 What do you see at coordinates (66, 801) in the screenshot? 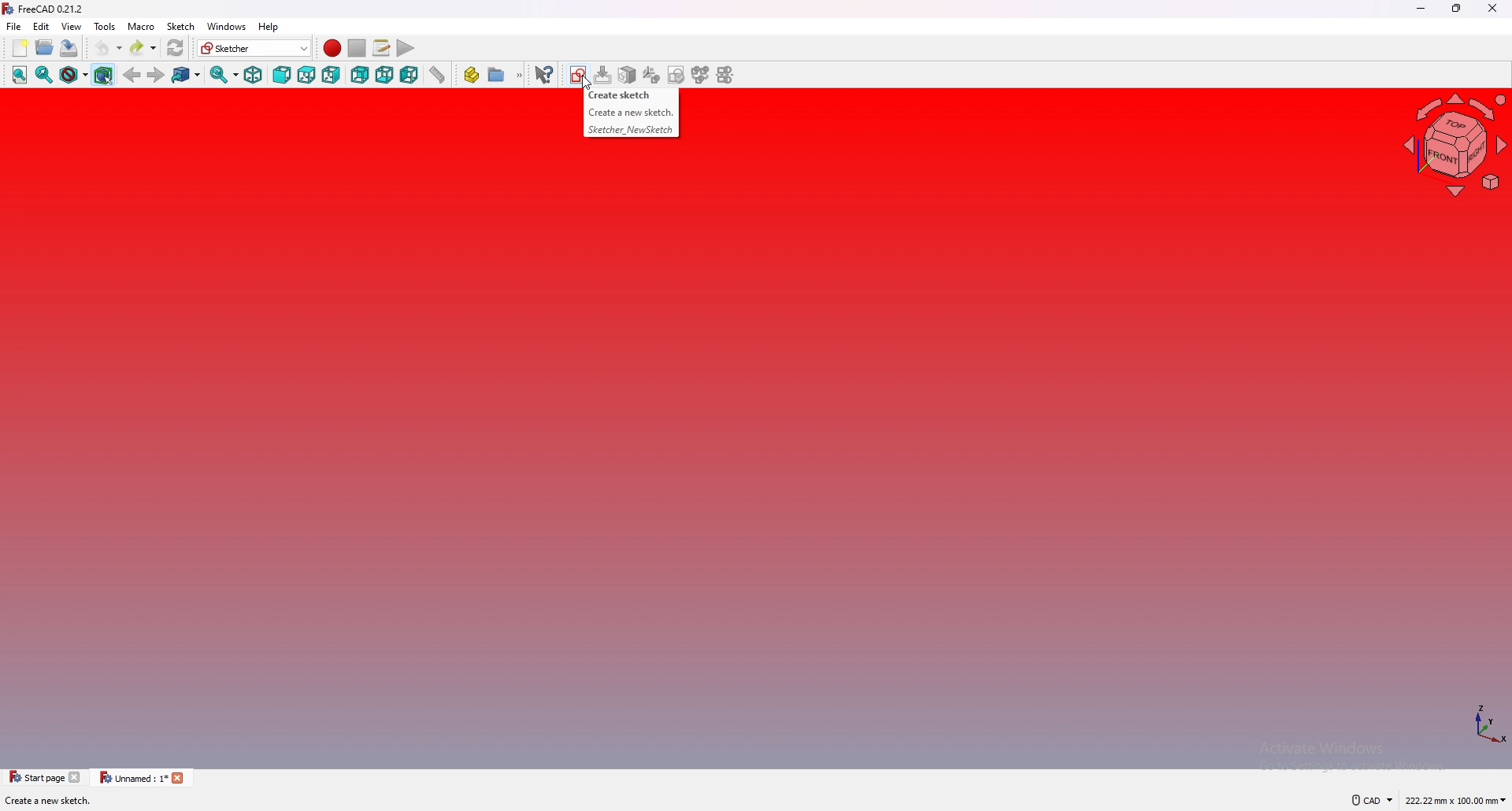
I see `description` at bounding box center [66, 801].